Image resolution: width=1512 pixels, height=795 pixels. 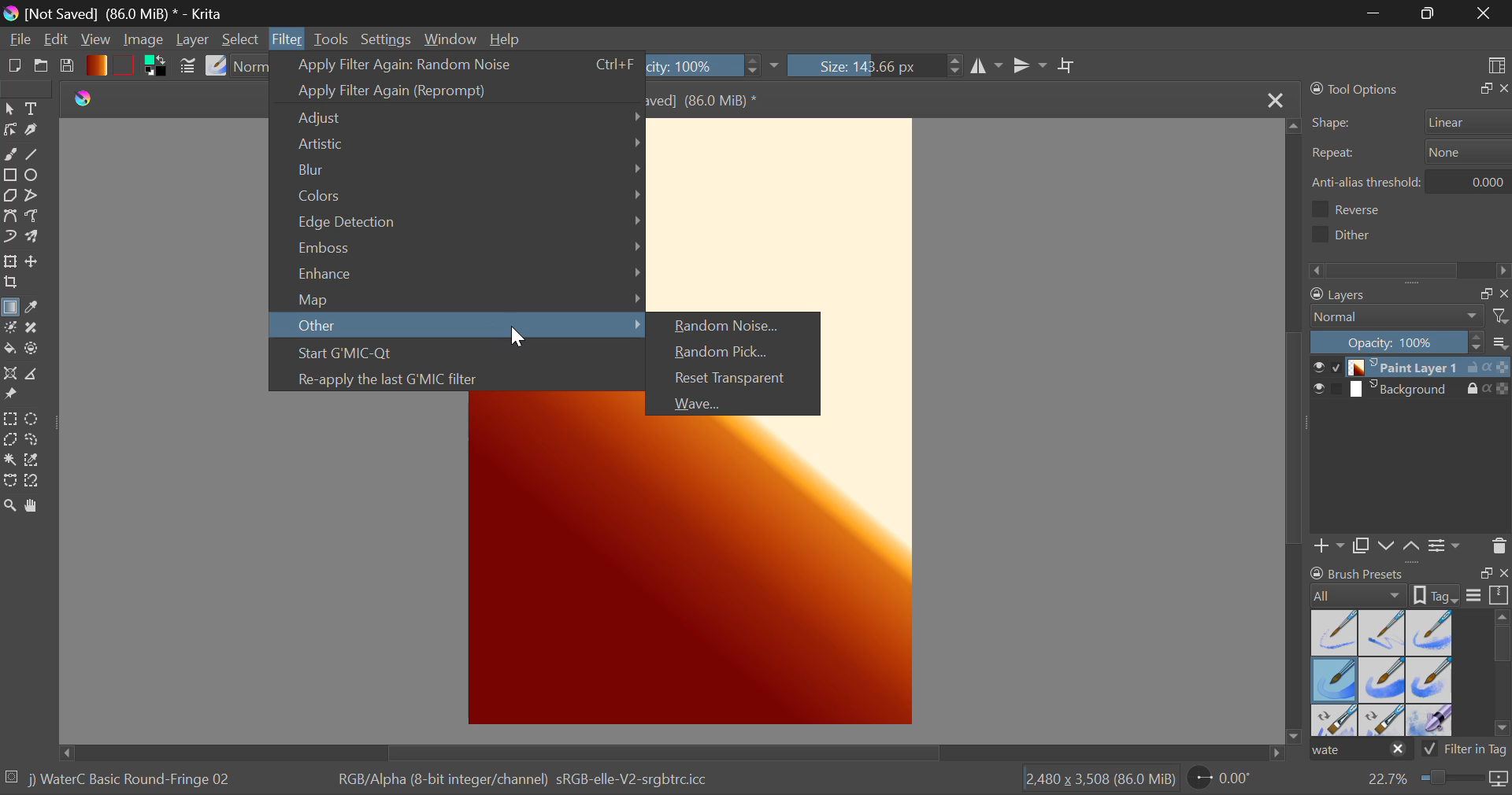 I want to click on move up, so click(x=1290, y=124).